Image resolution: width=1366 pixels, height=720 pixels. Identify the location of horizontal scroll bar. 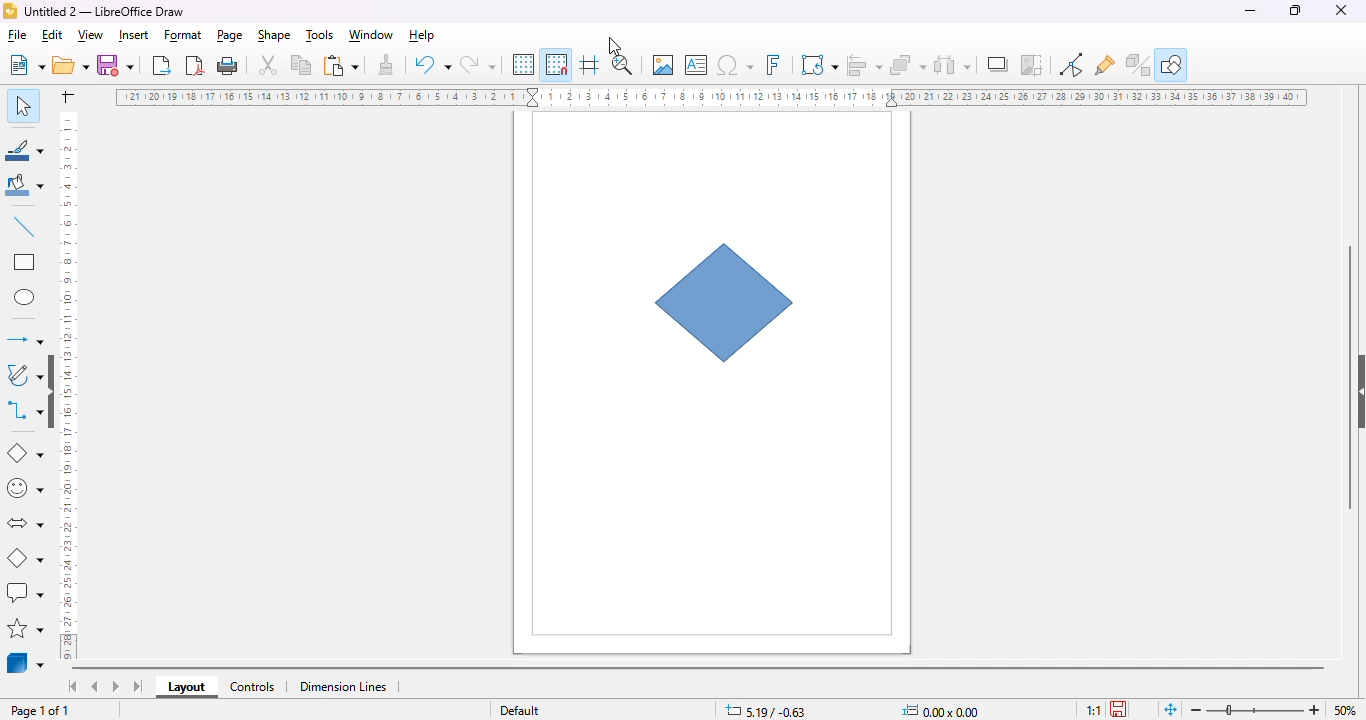
(702, 669).